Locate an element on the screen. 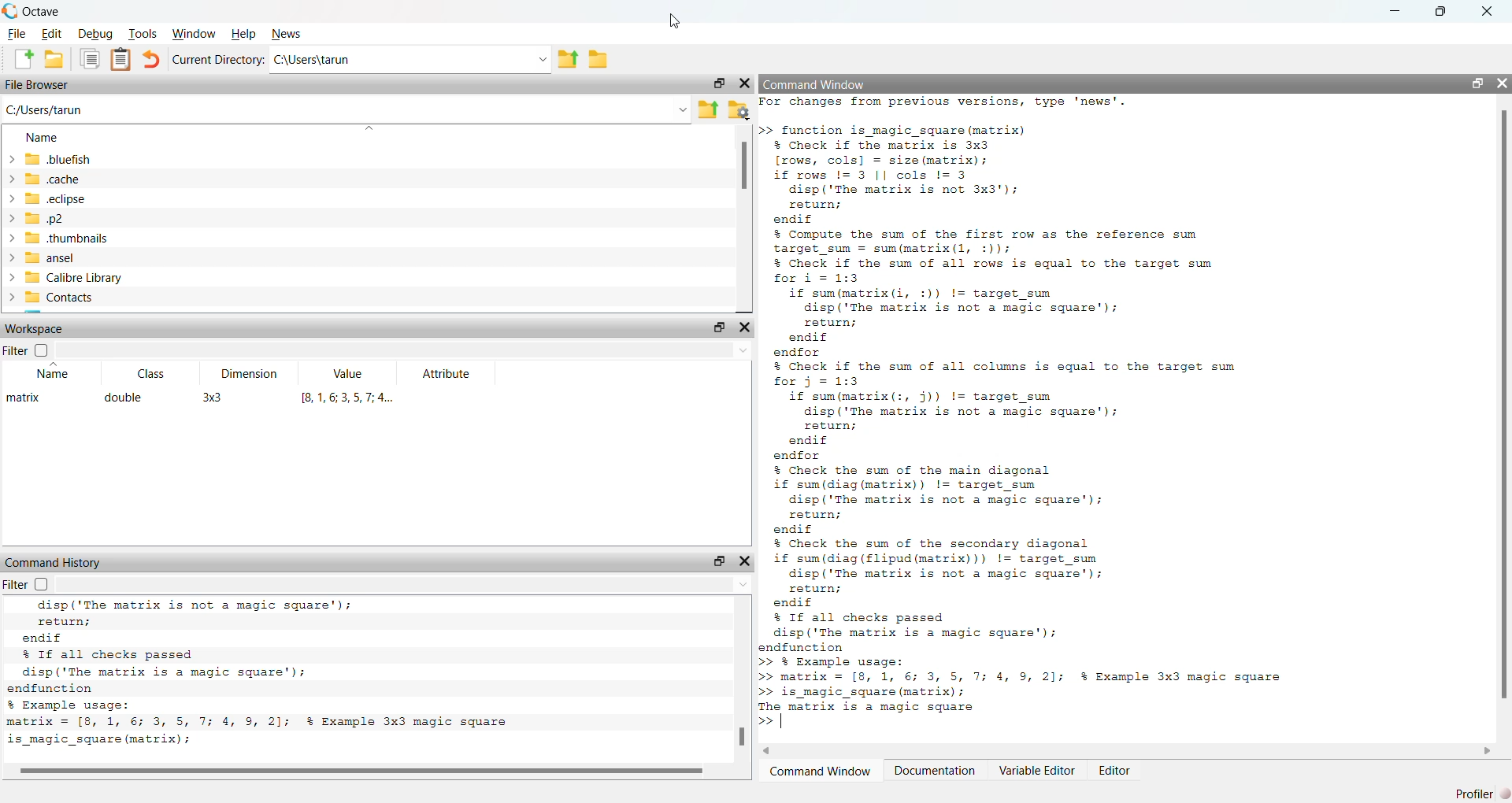  scroll bar is located at coordinates (743, 736).